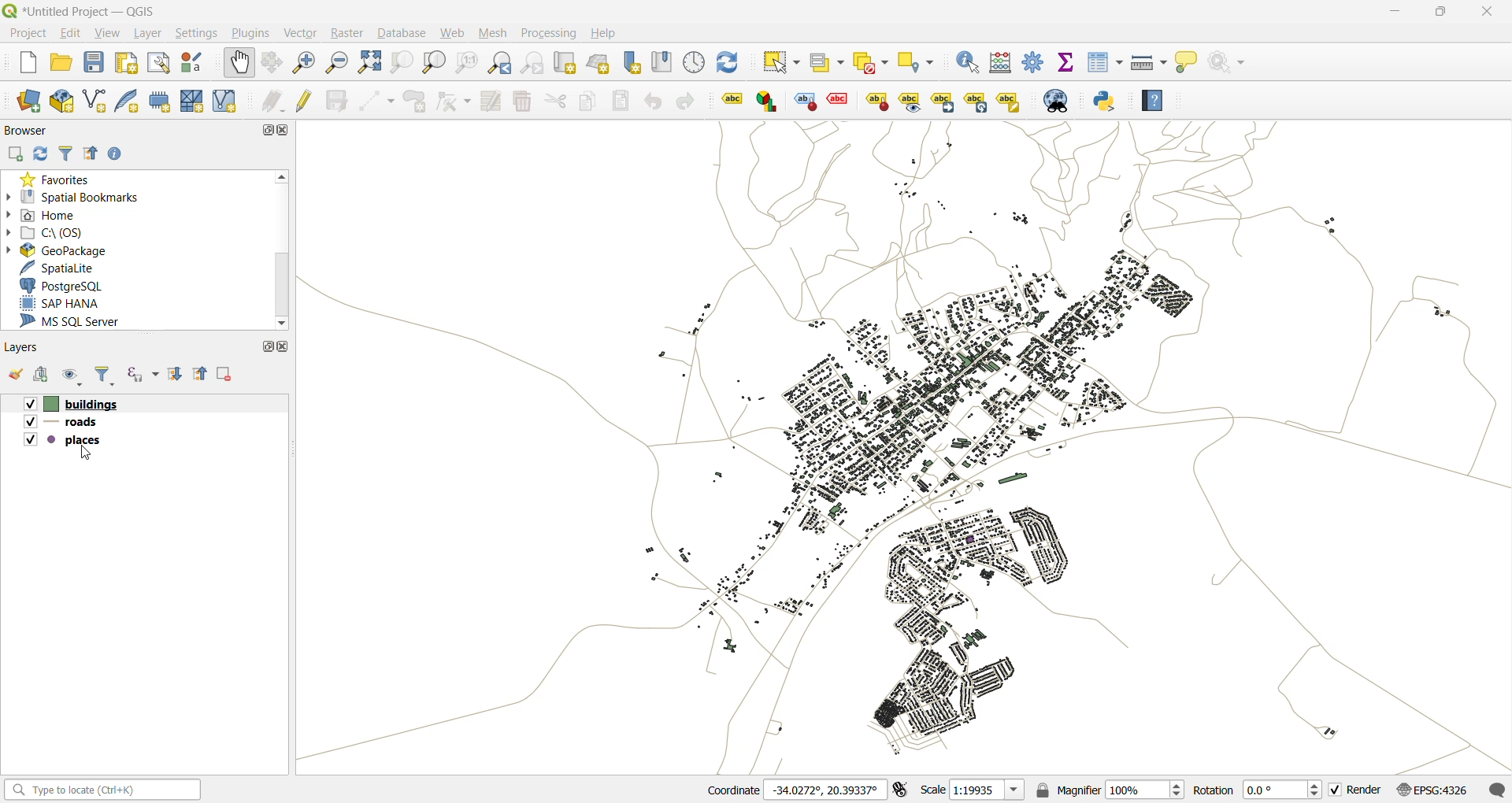 Image resolution: width=1512 pixels, height=803 pixels. I want to click on expand all, so click(177, 375).